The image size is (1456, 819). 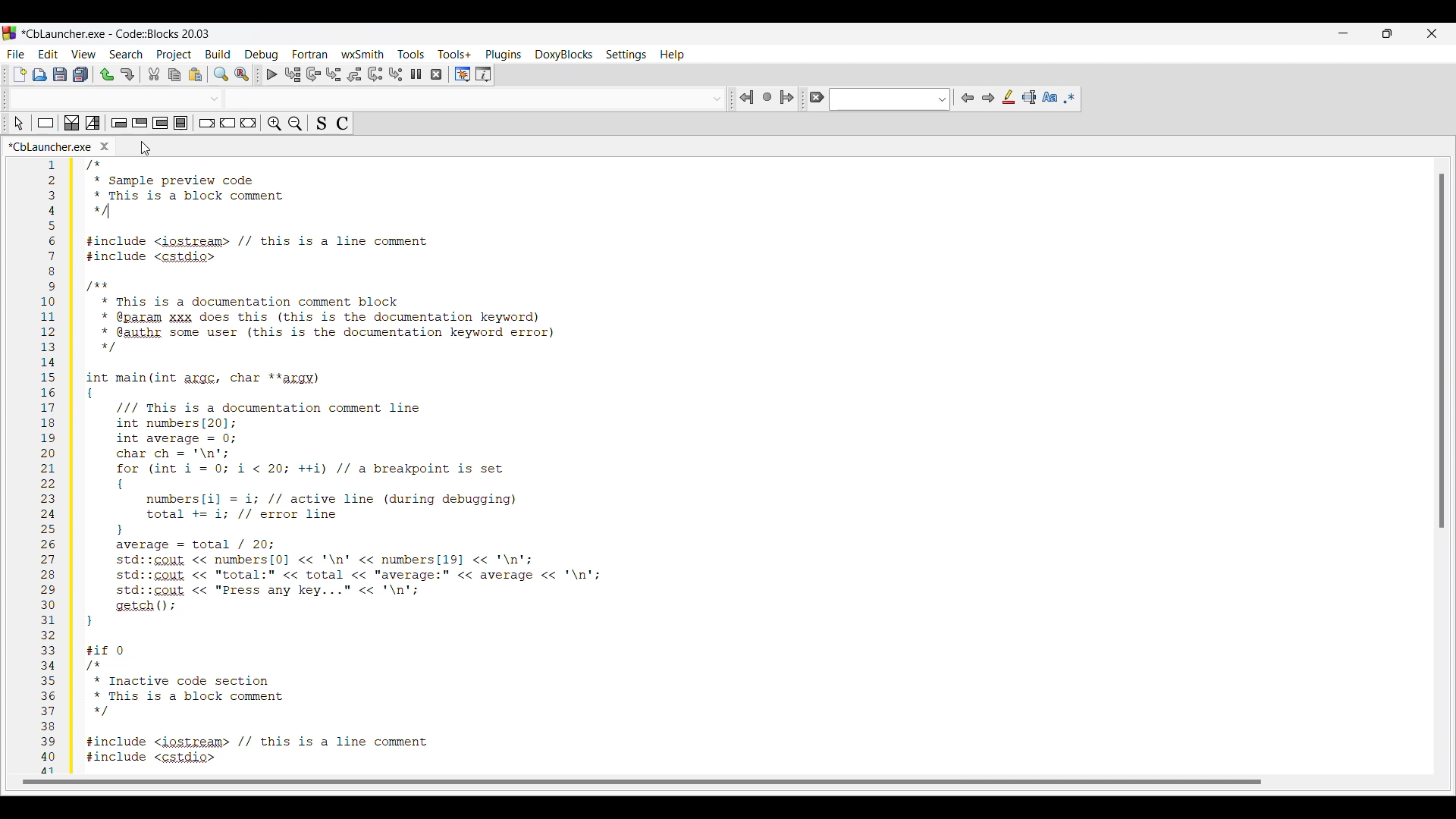 What do you see at coordinates (987, 98) in the screenshot?
I see `Next` at bounding box center [987, 98].